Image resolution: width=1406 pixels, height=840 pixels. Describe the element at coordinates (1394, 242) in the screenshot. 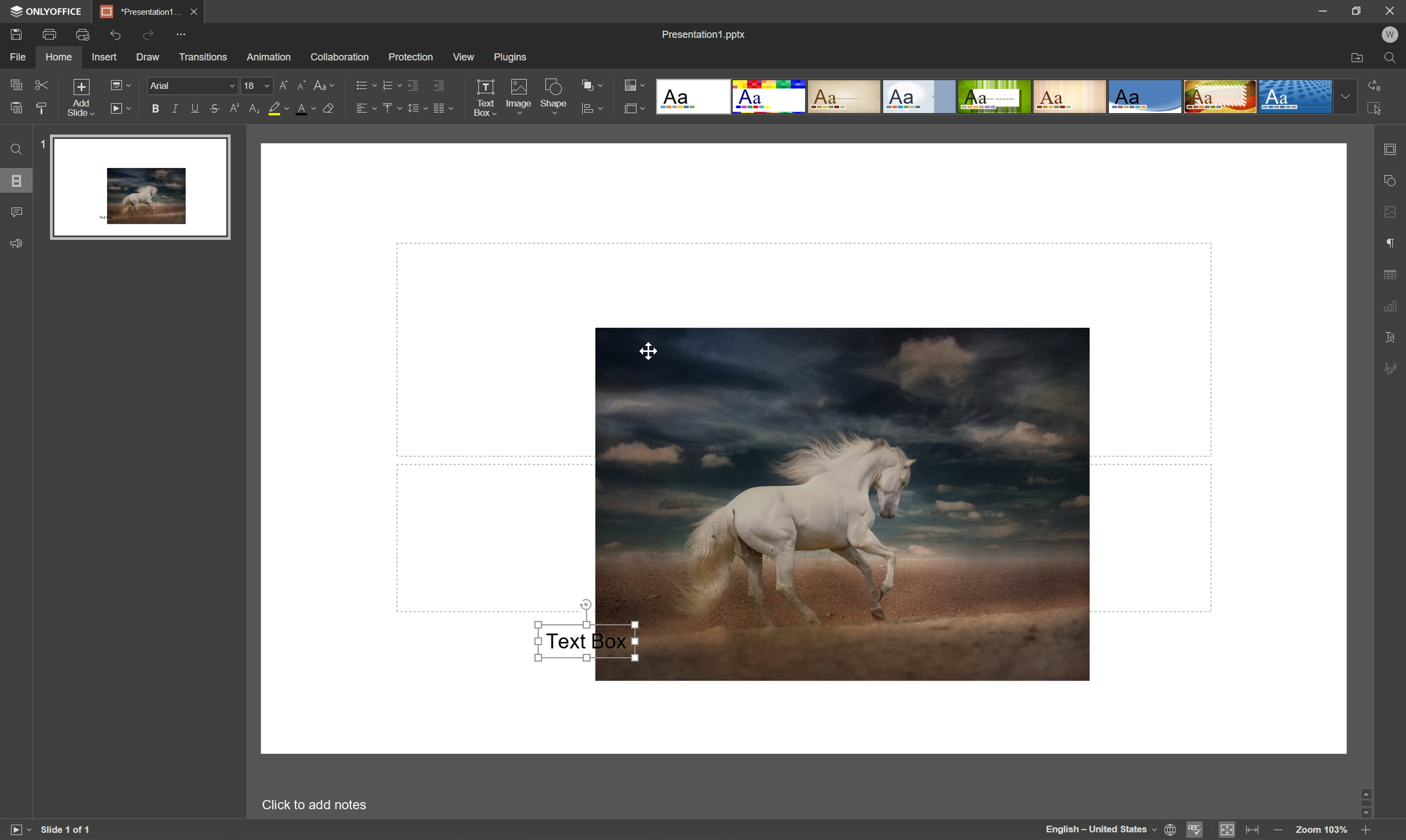

I see `Paragraph settings` at that location.